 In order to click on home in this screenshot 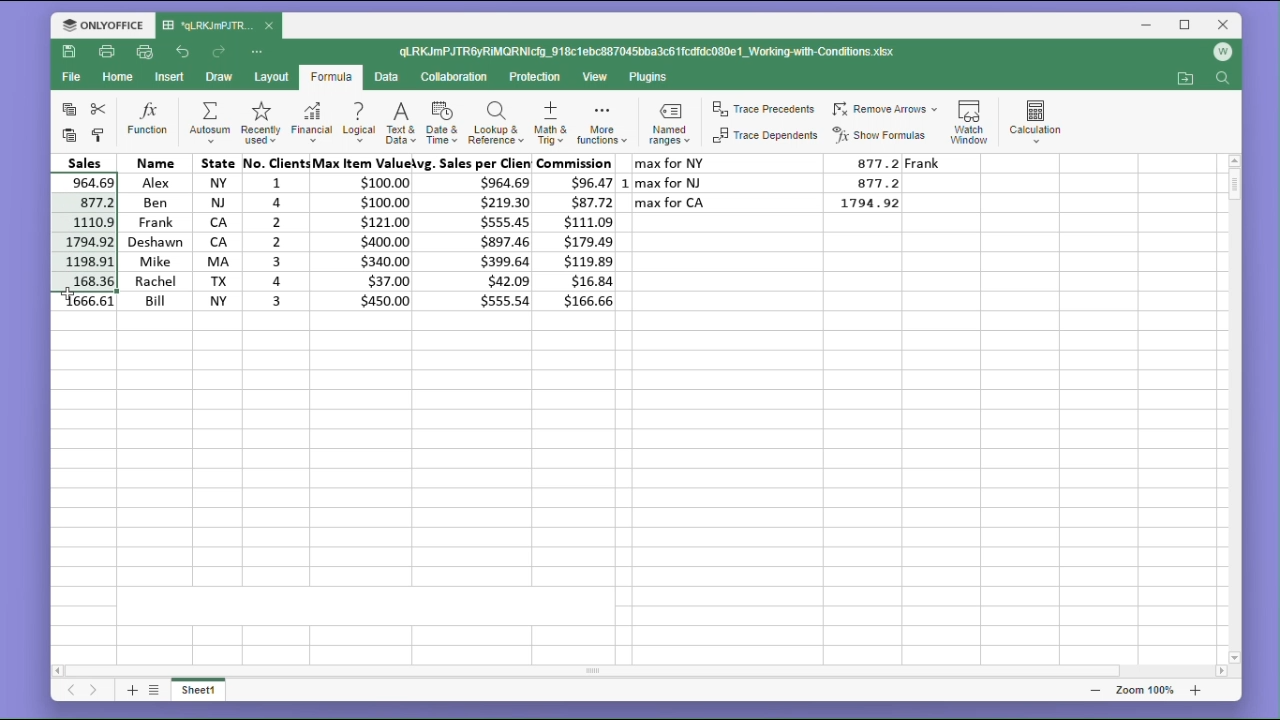, I will do `click(120, 82)`.